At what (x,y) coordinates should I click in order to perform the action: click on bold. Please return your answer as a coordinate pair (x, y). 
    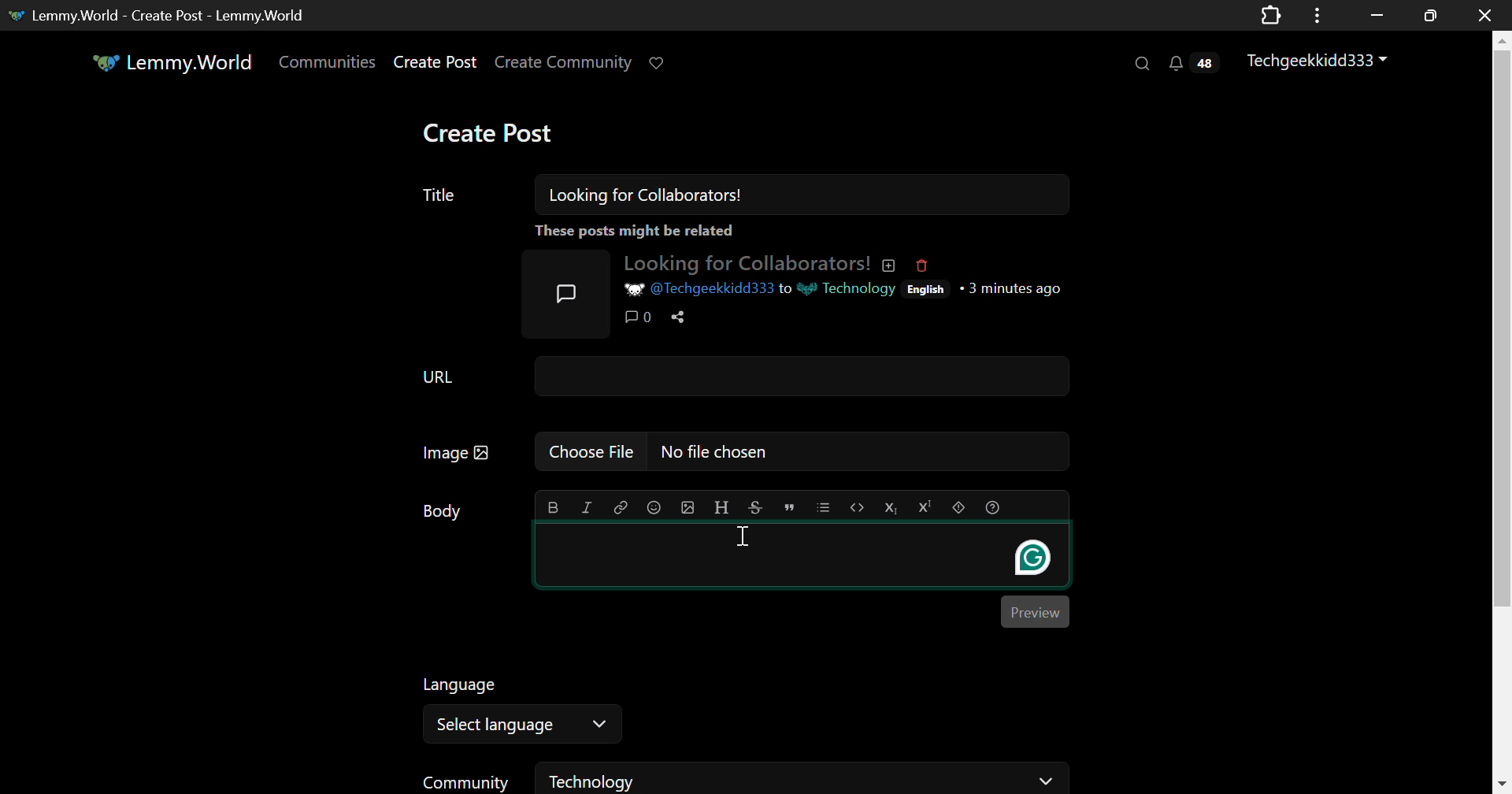
    Looking at the image, I should click on (553, 508).